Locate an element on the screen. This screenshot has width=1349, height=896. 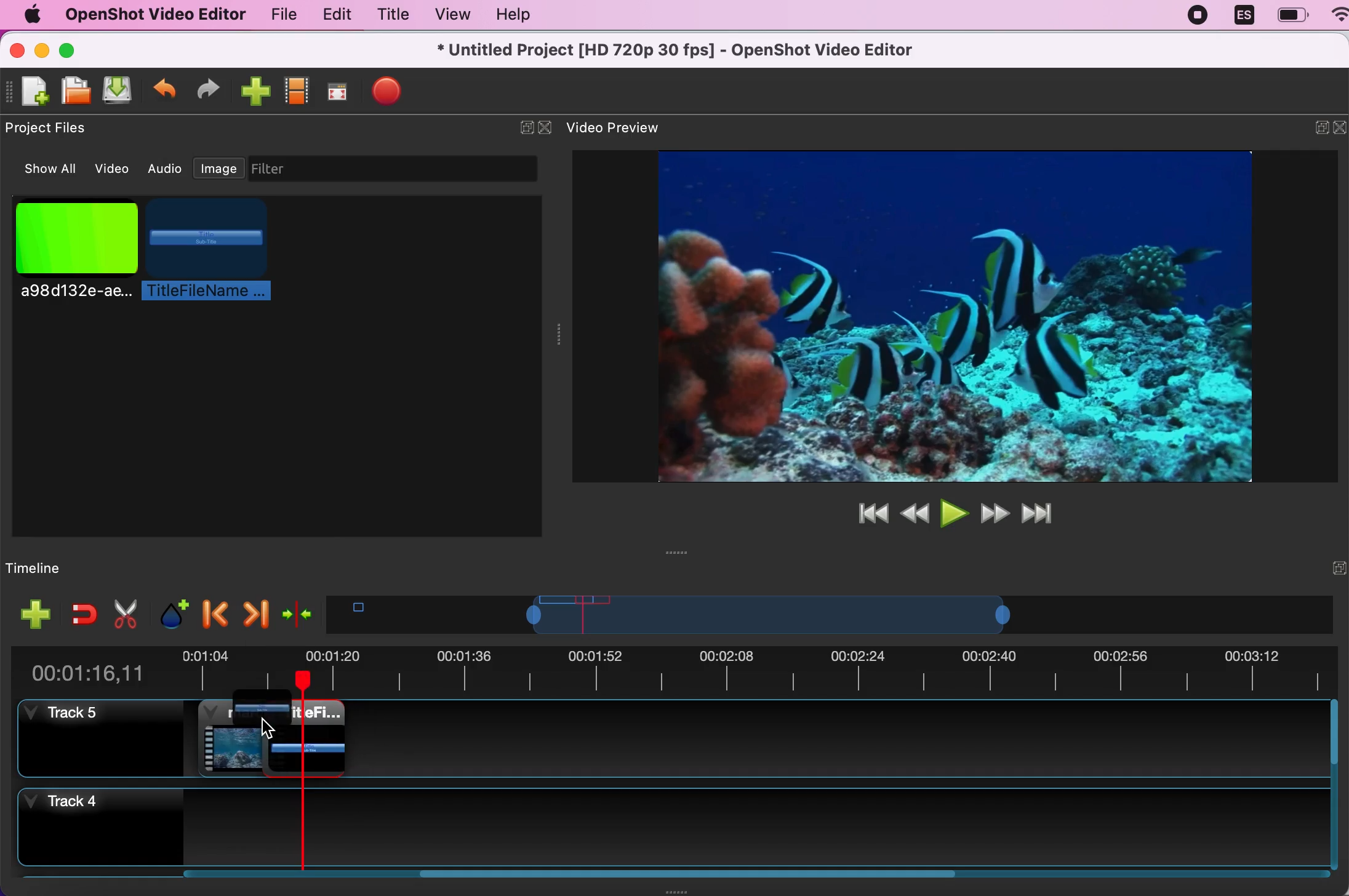
video is located at coordinates (114, 167).